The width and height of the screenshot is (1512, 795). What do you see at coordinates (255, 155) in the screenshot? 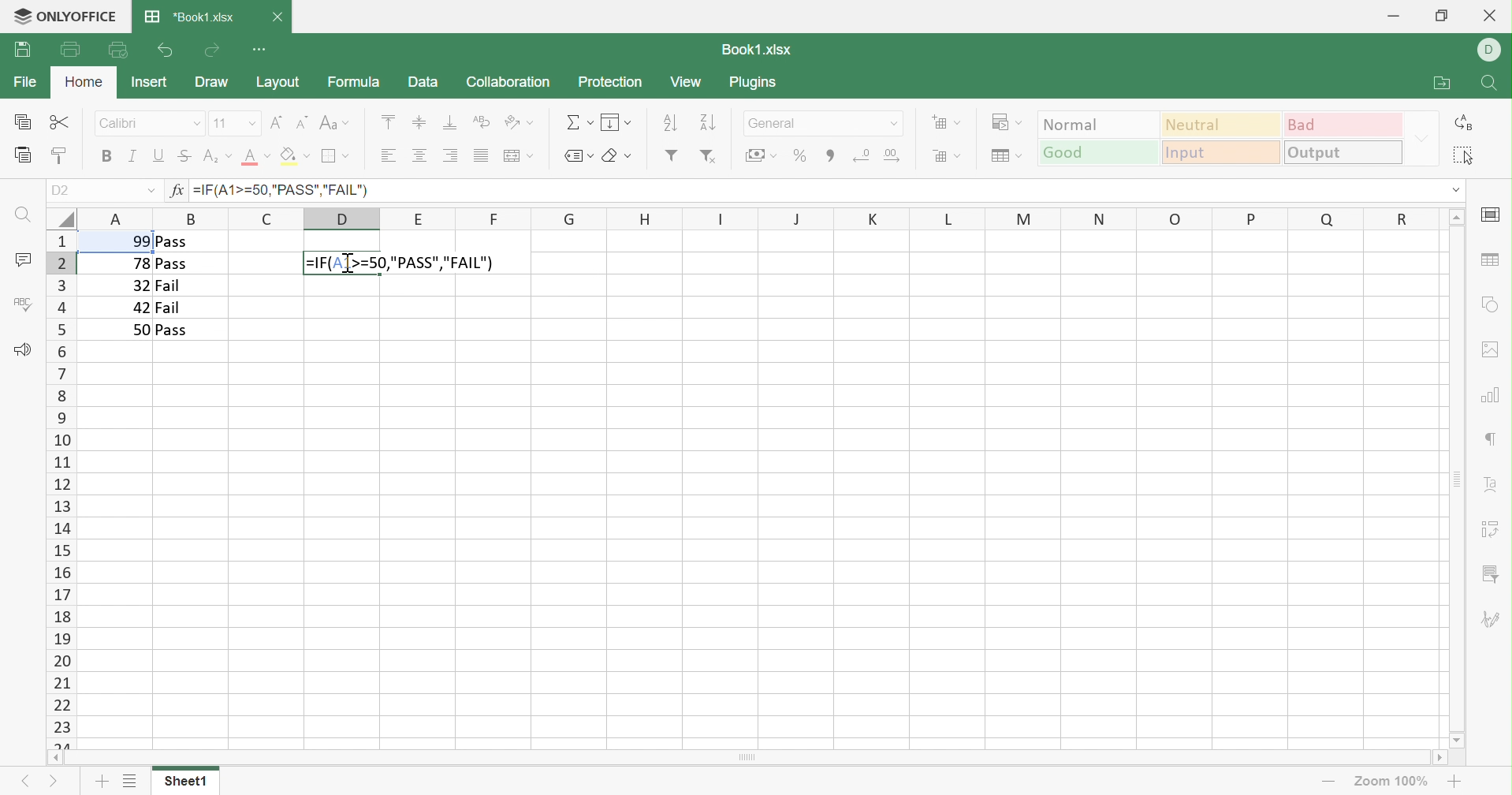
I see `Font color` at bounding box center [255, 155].